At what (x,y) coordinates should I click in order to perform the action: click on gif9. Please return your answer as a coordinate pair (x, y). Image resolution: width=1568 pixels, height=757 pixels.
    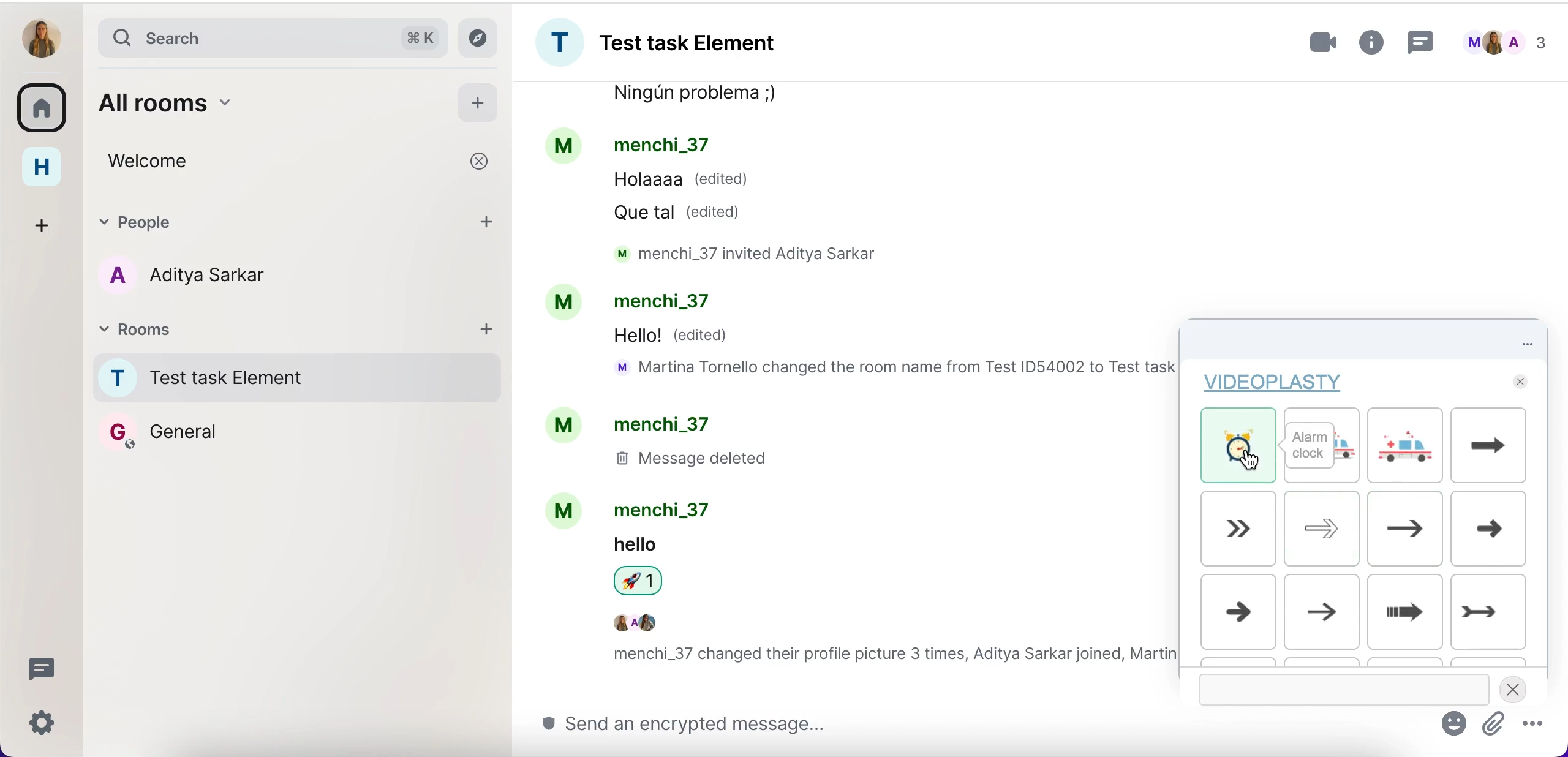
    Looking at the image, I should click on (1236, 611).